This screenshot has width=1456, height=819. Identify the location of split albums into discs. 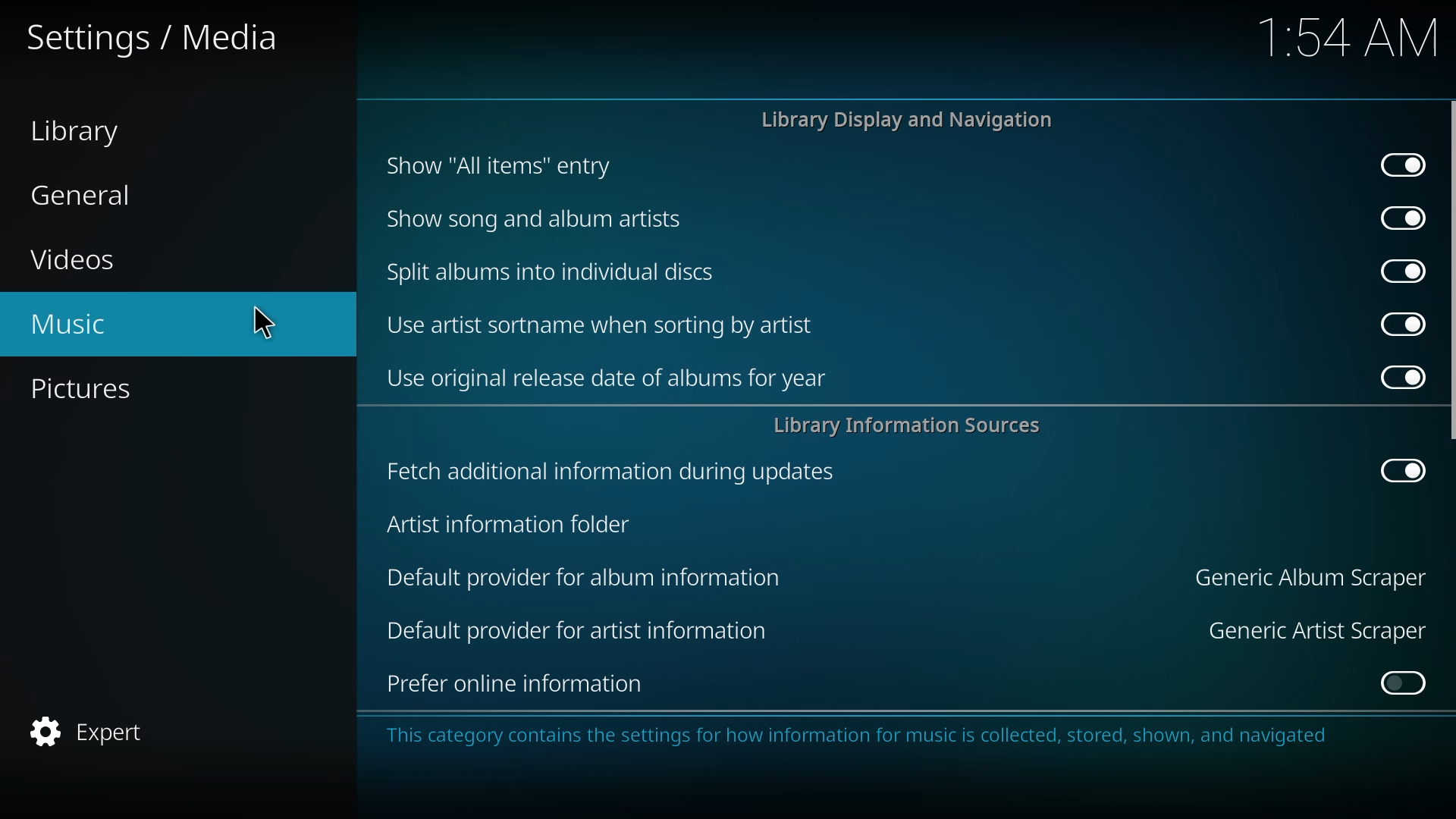
(557, 272).